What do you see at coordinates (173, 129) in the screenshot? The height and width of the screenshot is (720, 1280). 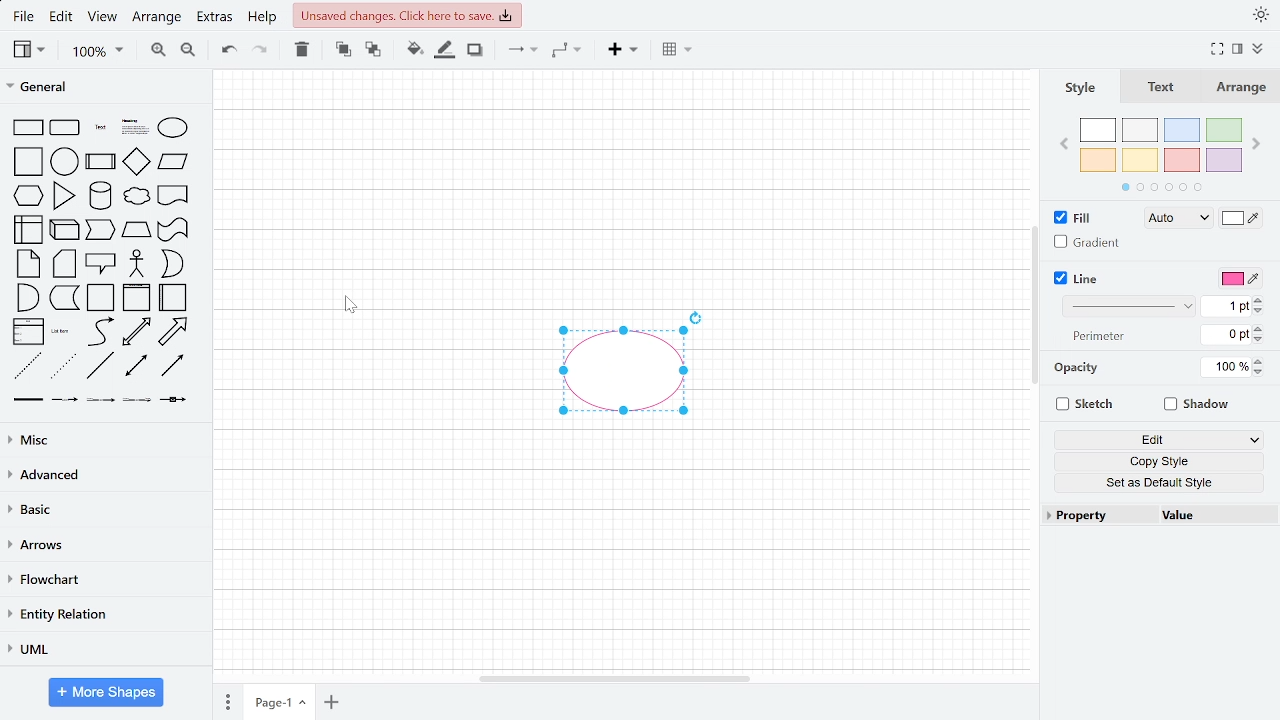 I see `ellipse` at bounding box center [173, 129].